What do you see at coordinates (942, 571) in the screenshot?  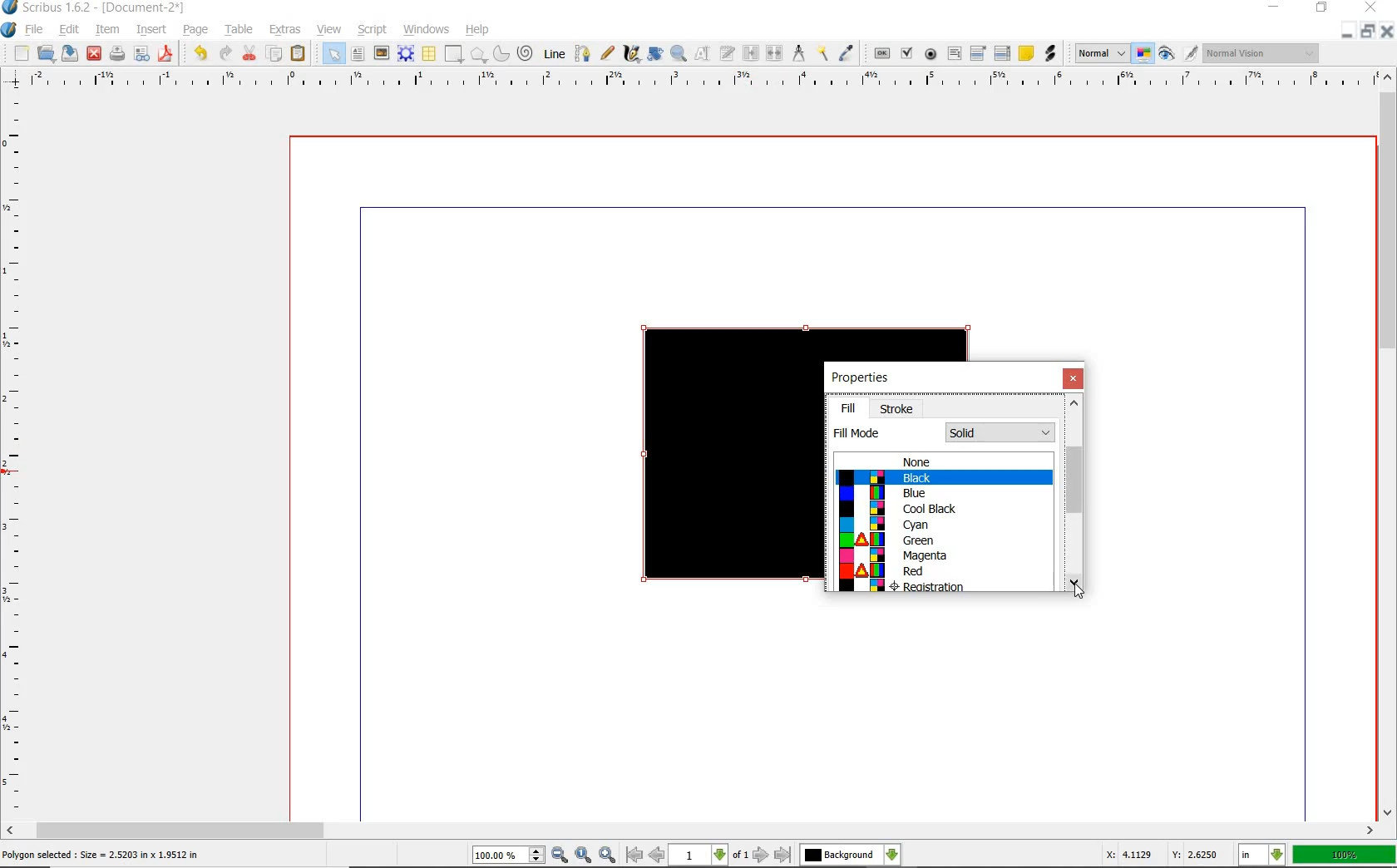 I see `Red` at bounding box center [942, 571].